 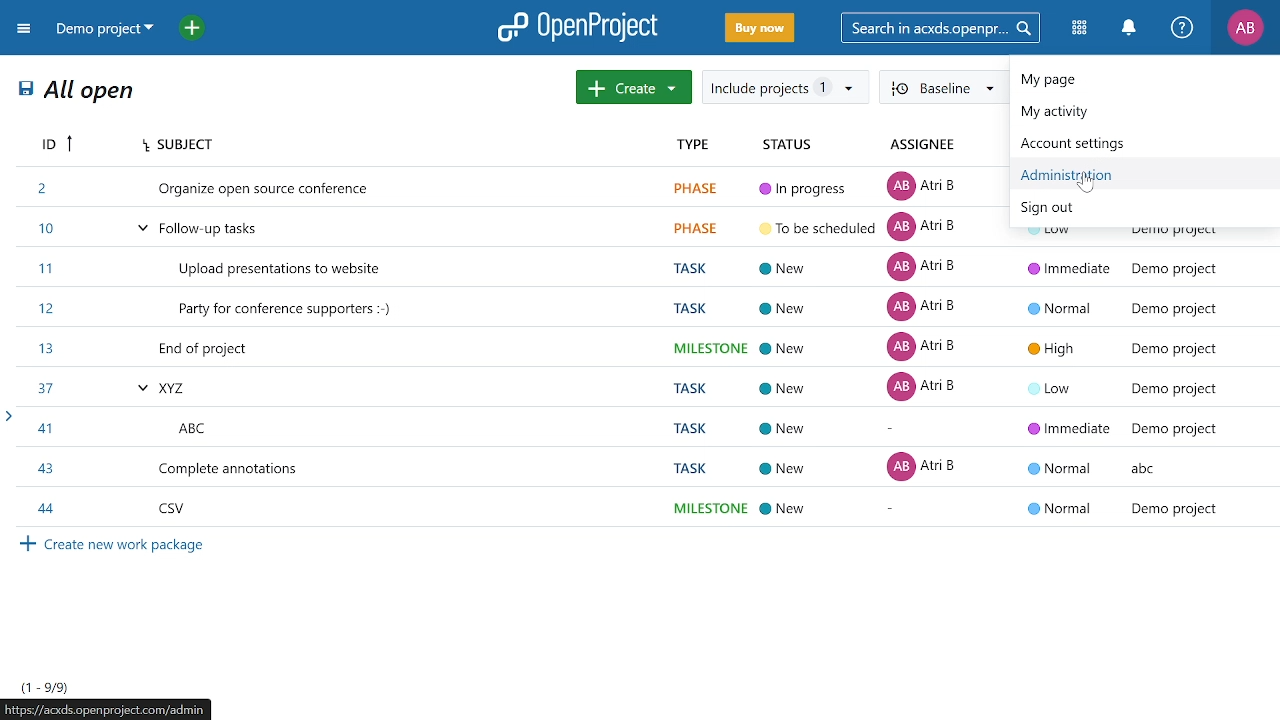 I want to click on subject, so click(x=402, y=145).